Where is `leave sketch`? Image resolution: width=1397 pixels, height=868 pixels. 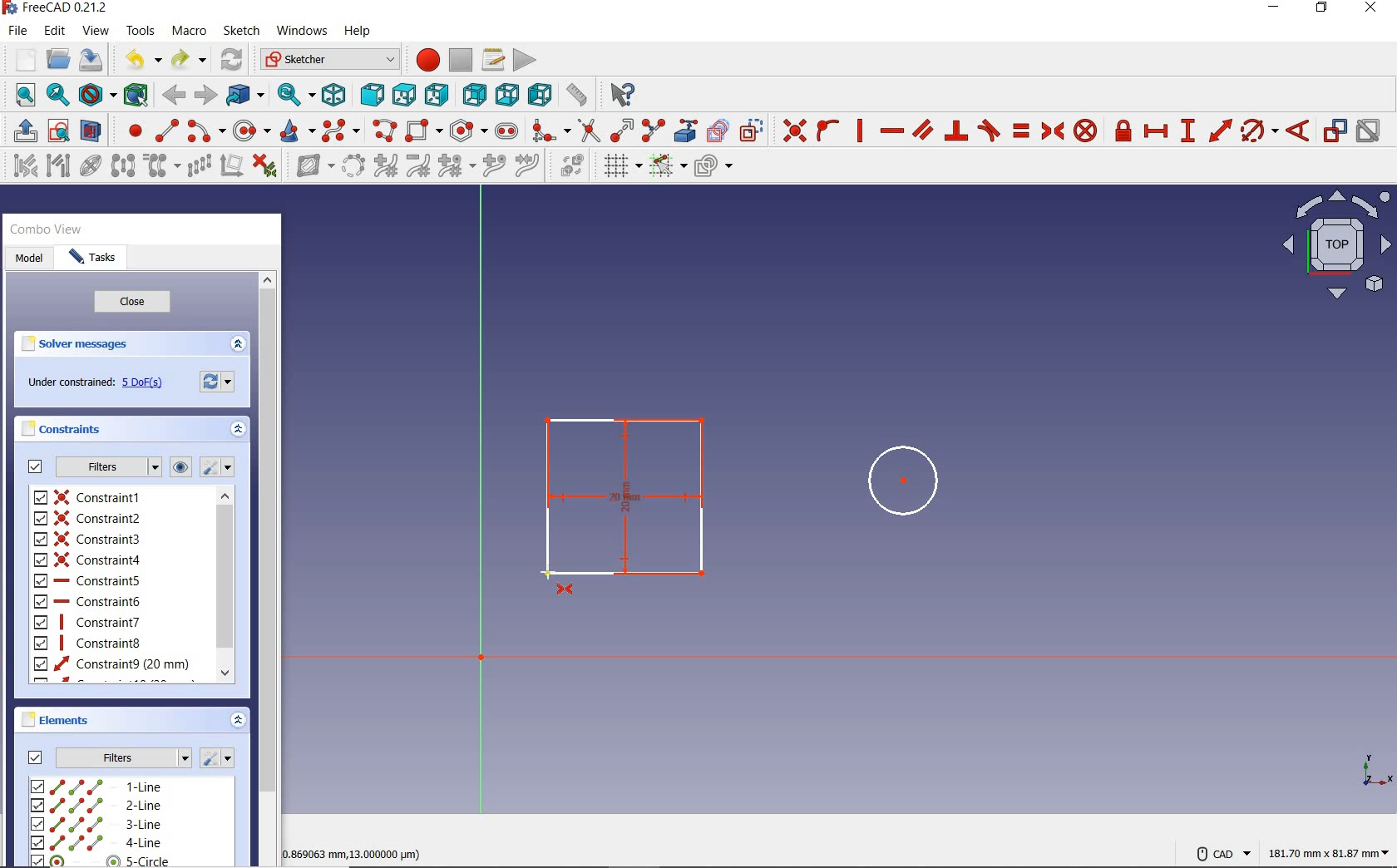
leave sketch is located at coordinates (22, 129).